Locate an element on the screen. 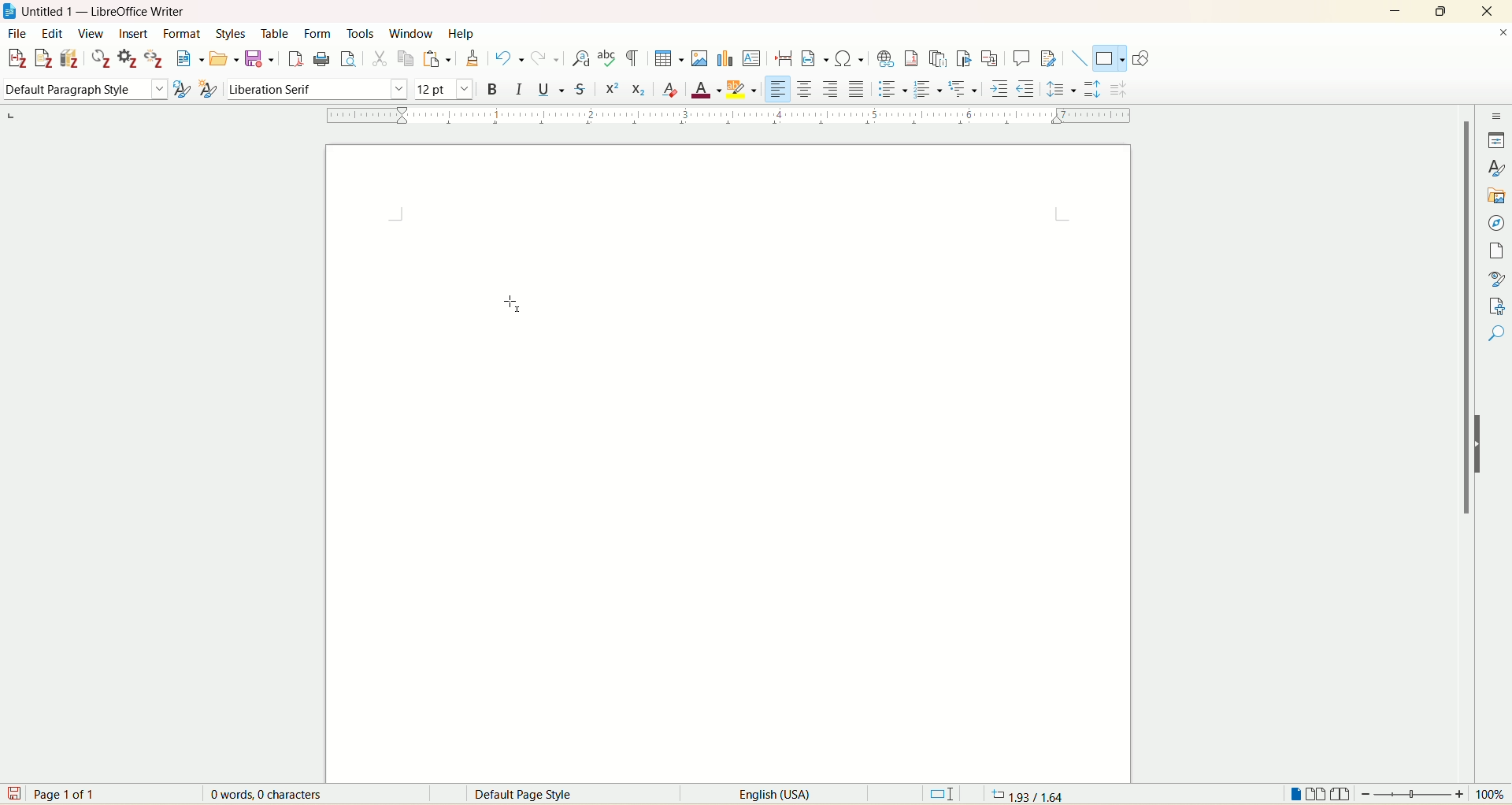 This screenshot has height=805, width=1512. single page view is located at coordinates (1295, 793).